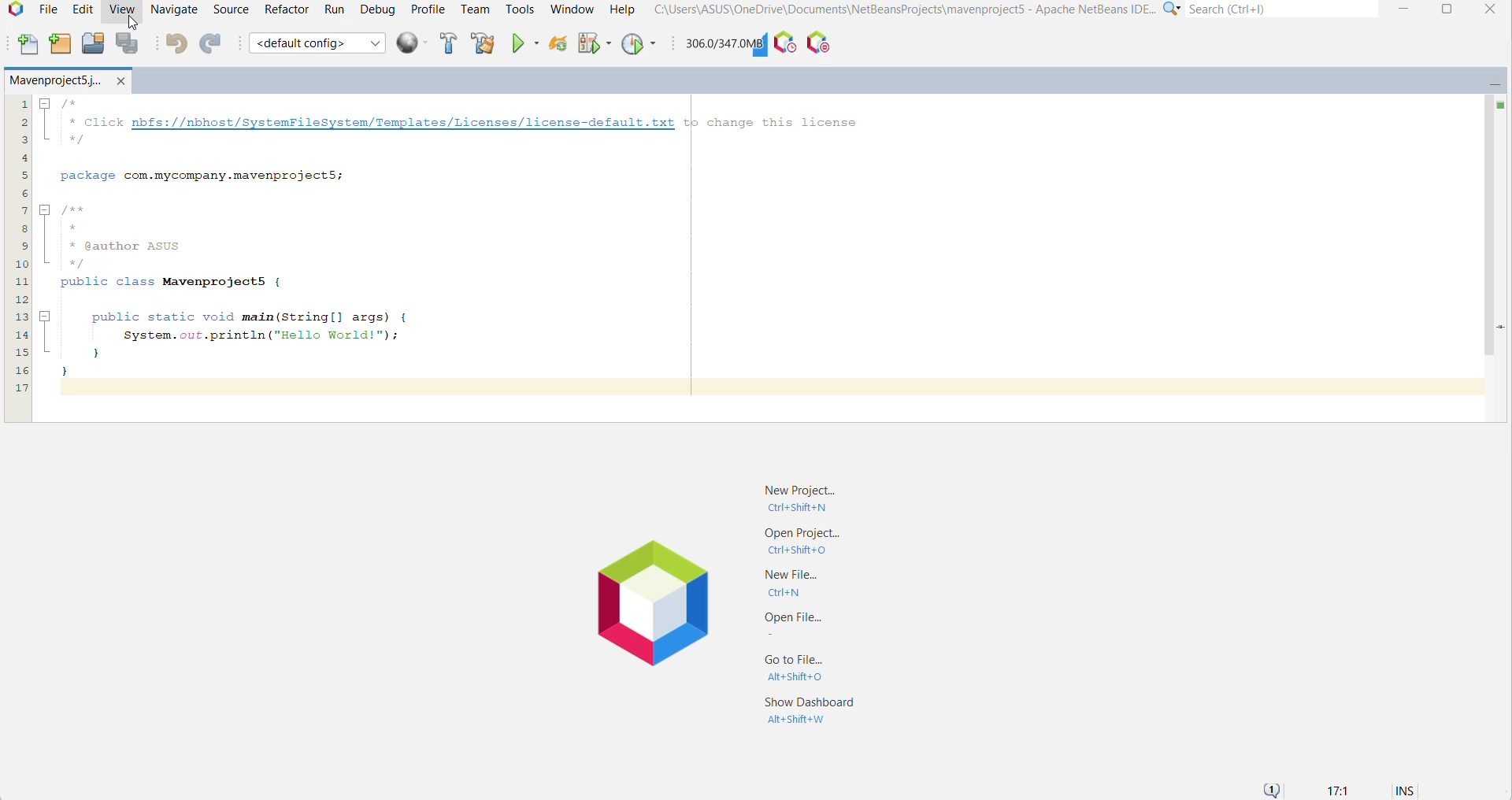 The image size is (1512, 800). I want to click on close, so click(1490, 11).